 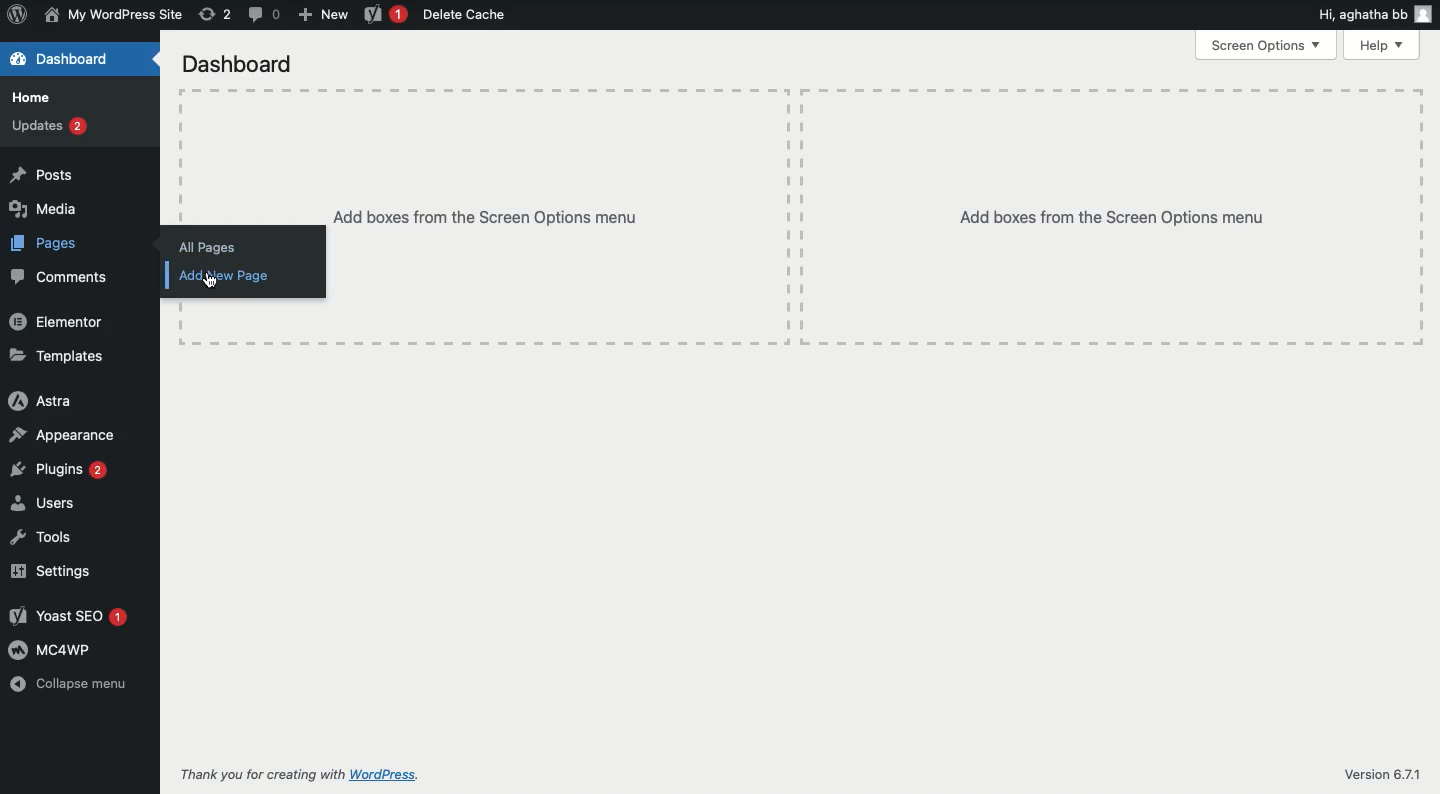 I want to click on Table line, so click(x=802, y=91).